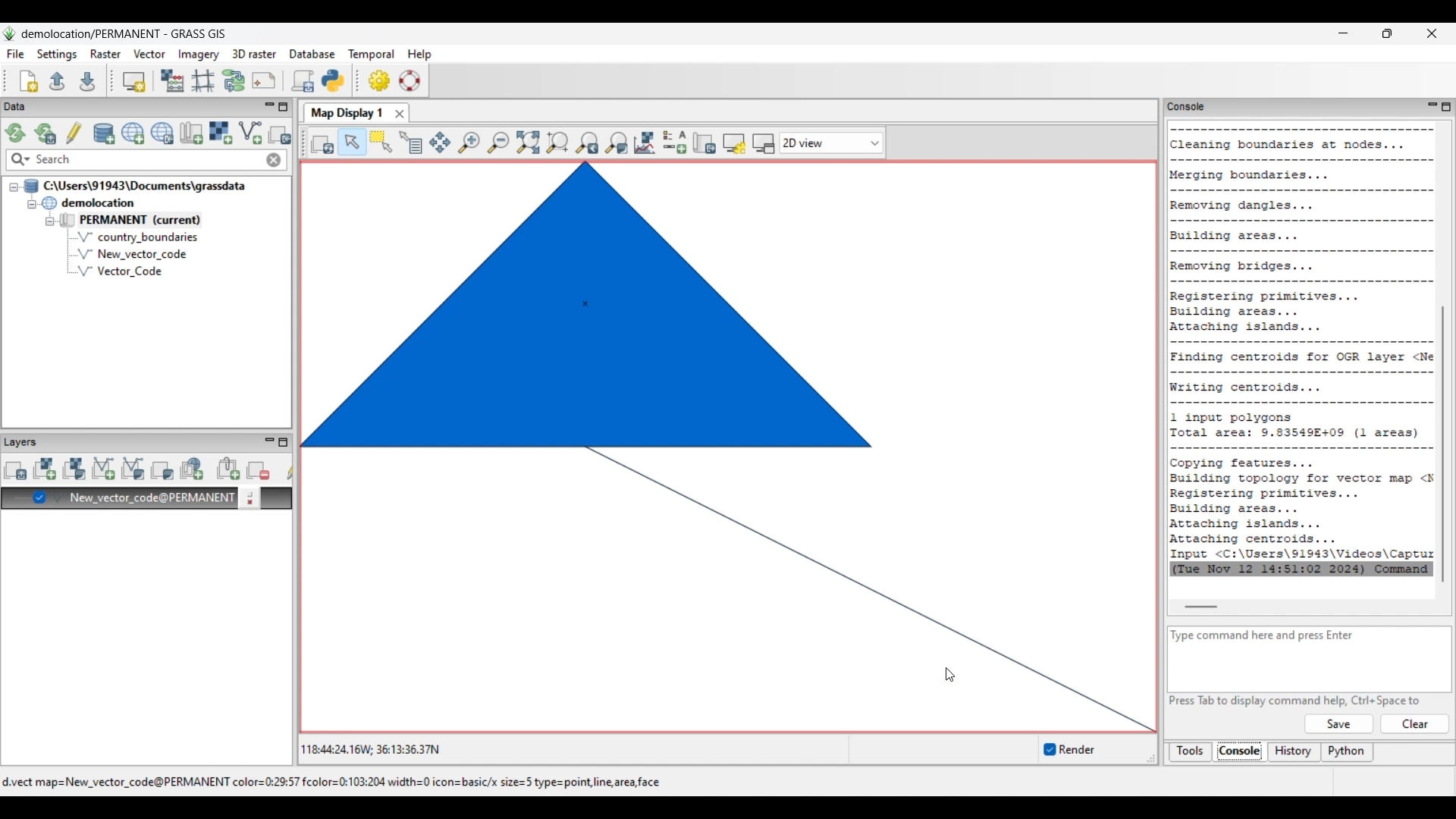 This screenshot has width=1456, height=819. Describe the element at coordinates (371, 55) in the screenshot. I see `Temporal menu` at that location.